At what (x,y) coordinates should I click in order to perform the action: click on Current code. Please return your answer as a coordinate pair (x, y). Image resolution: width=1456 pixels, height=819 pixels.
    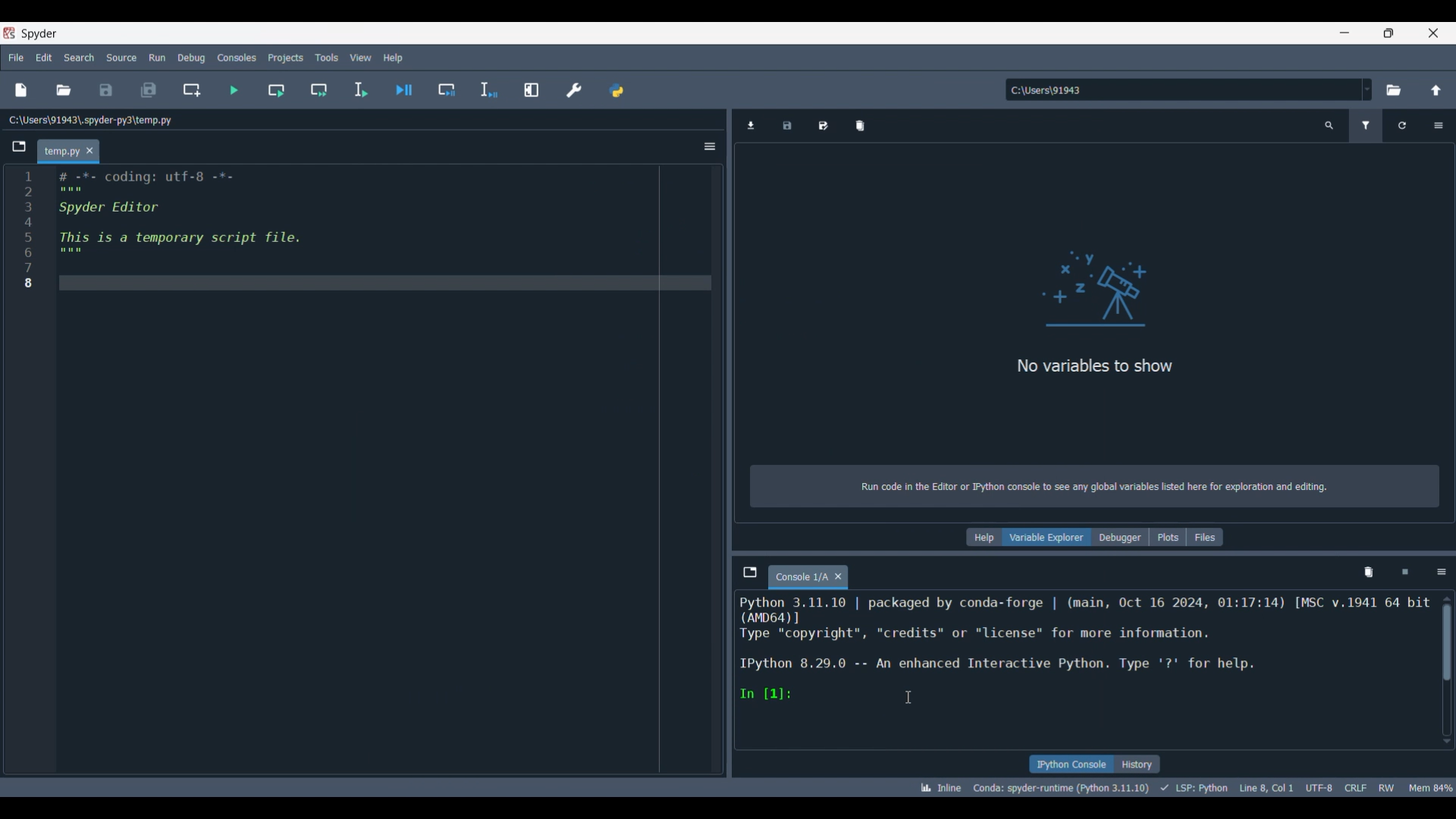
    Looking at the image, I should click on (364, 228).